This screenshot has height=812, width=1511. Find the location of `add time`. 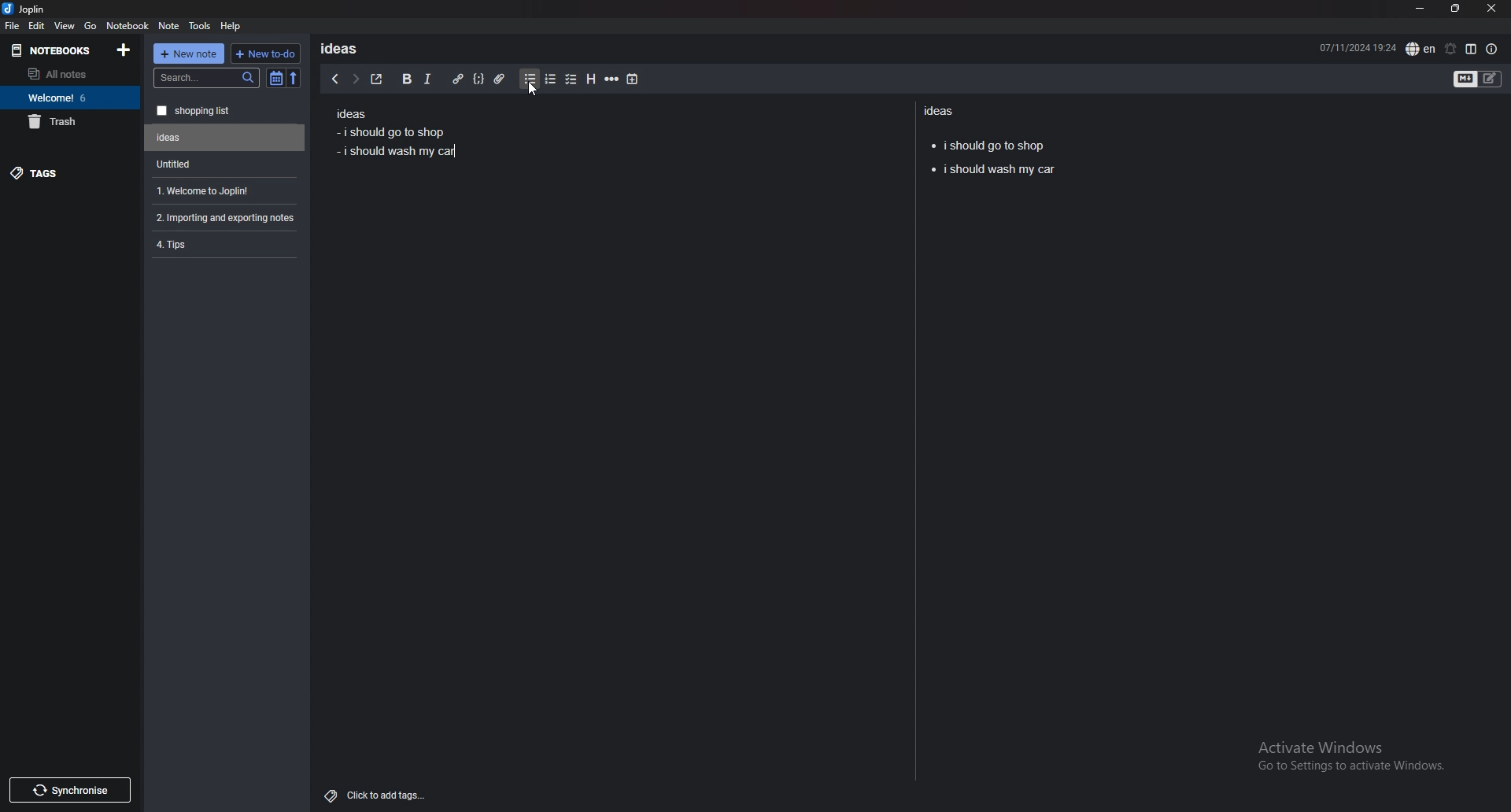

add time is located at coordinates (634, 79).